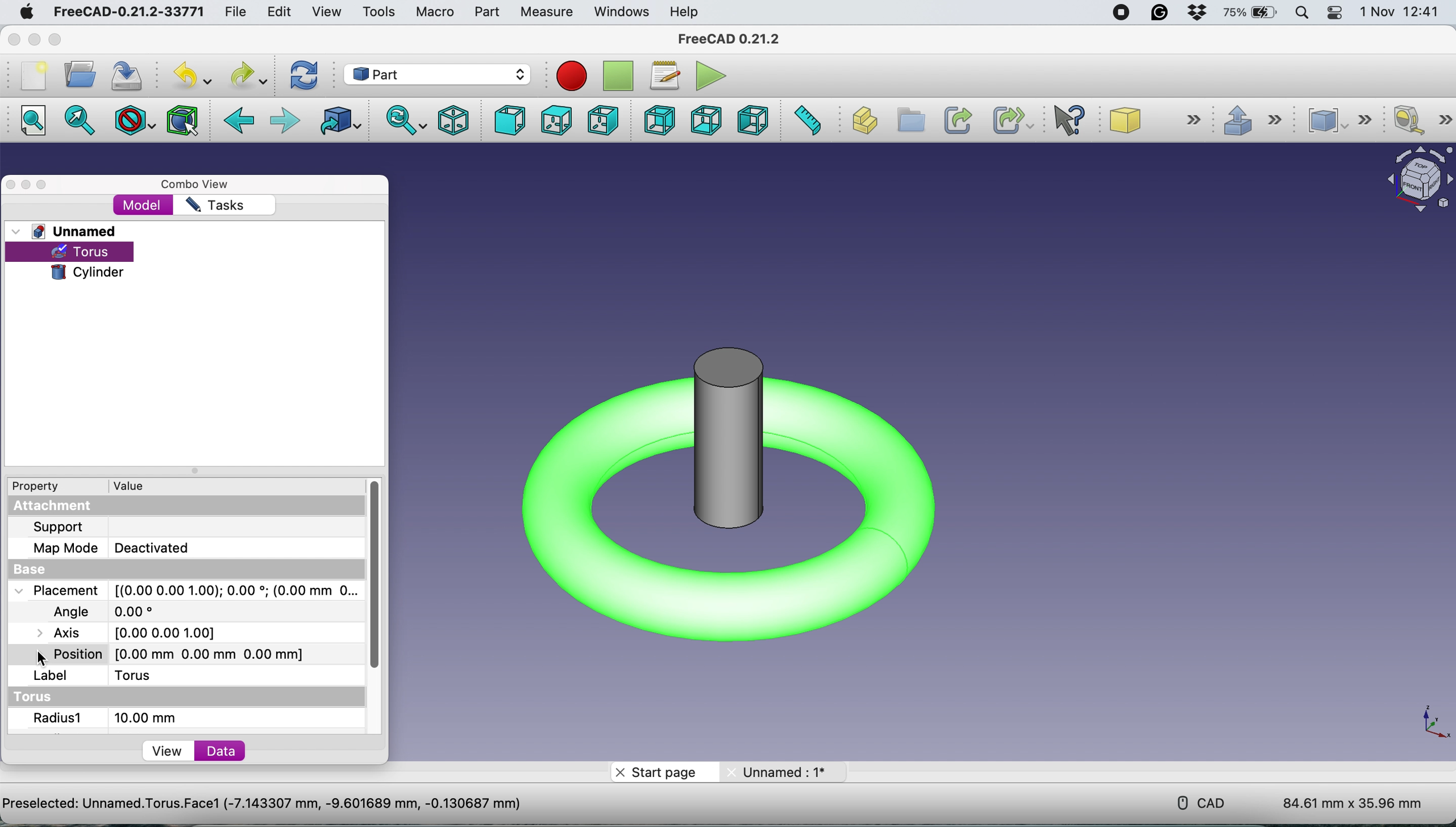 The height and width of the screenshot is (827, 1456). Describe the element at coordinates (377, 575) in the screenshot. I see `vertical scroll bar` at that location.